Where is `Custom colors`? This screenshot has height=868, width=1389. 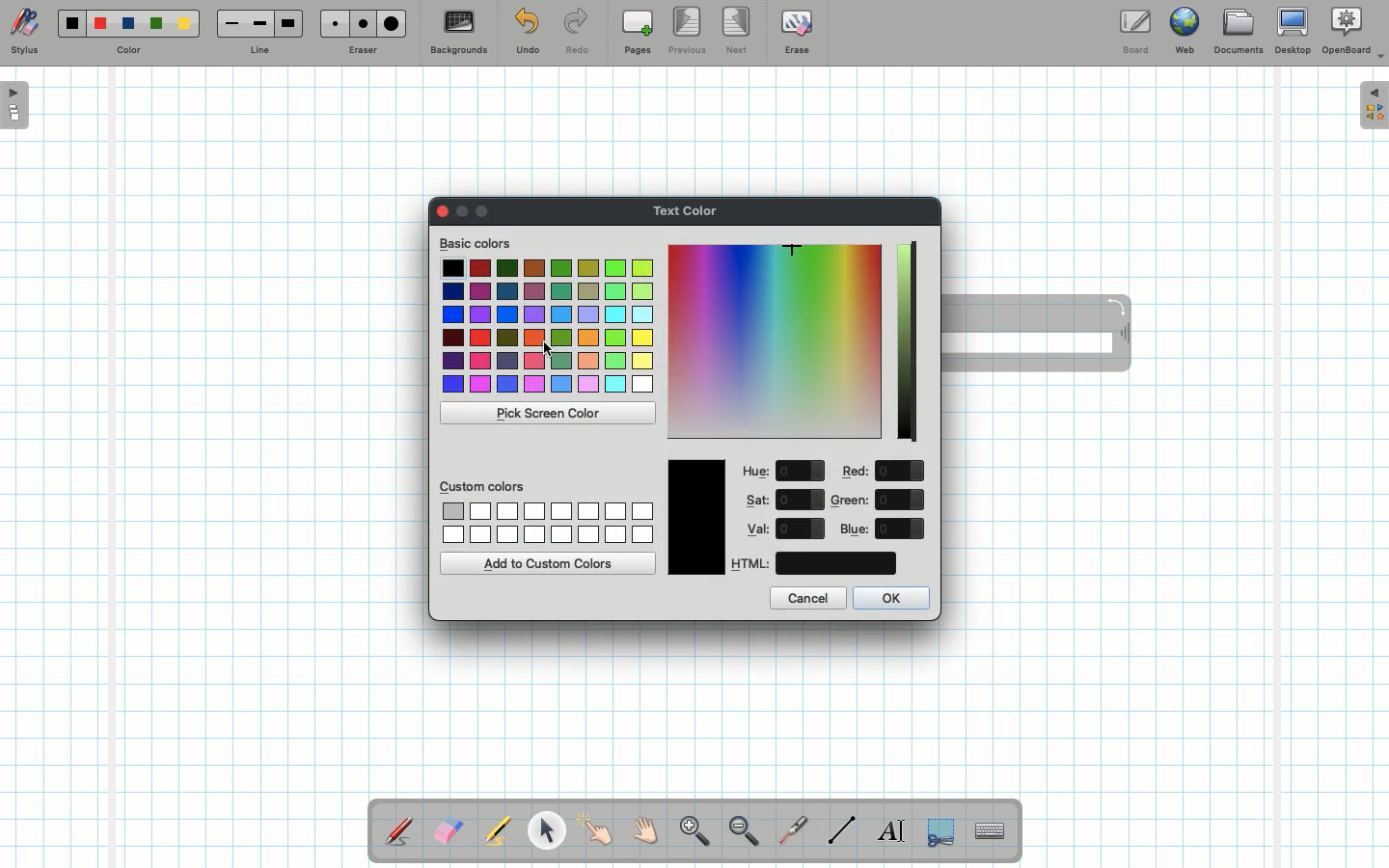
Custom colors is located at coordinates (484, 485).